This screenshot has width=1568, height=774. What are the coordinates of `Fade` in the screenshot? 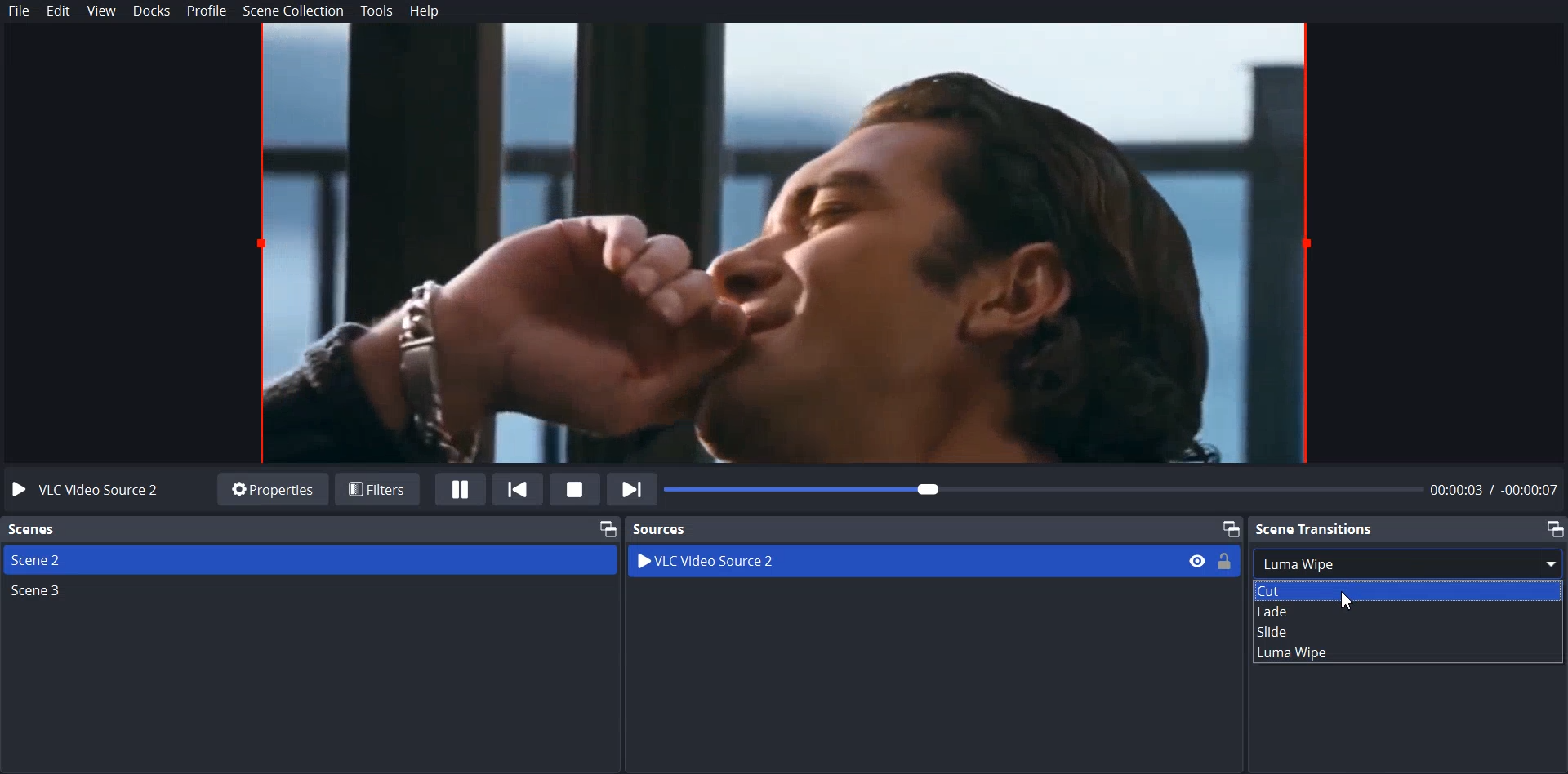 It's located at (1406, 613).